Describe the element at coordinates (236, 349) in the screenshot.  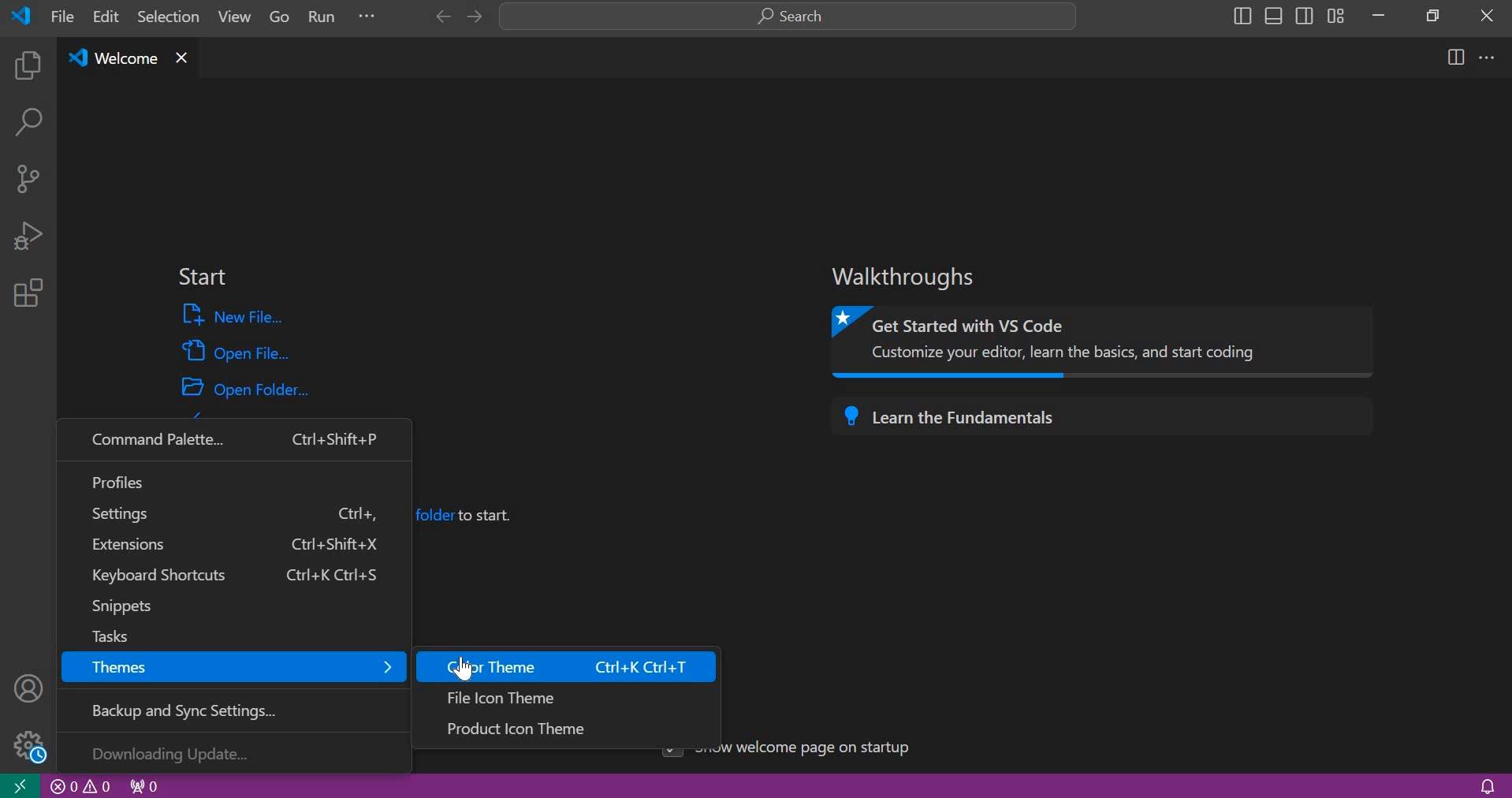
I see `open file` at that location.